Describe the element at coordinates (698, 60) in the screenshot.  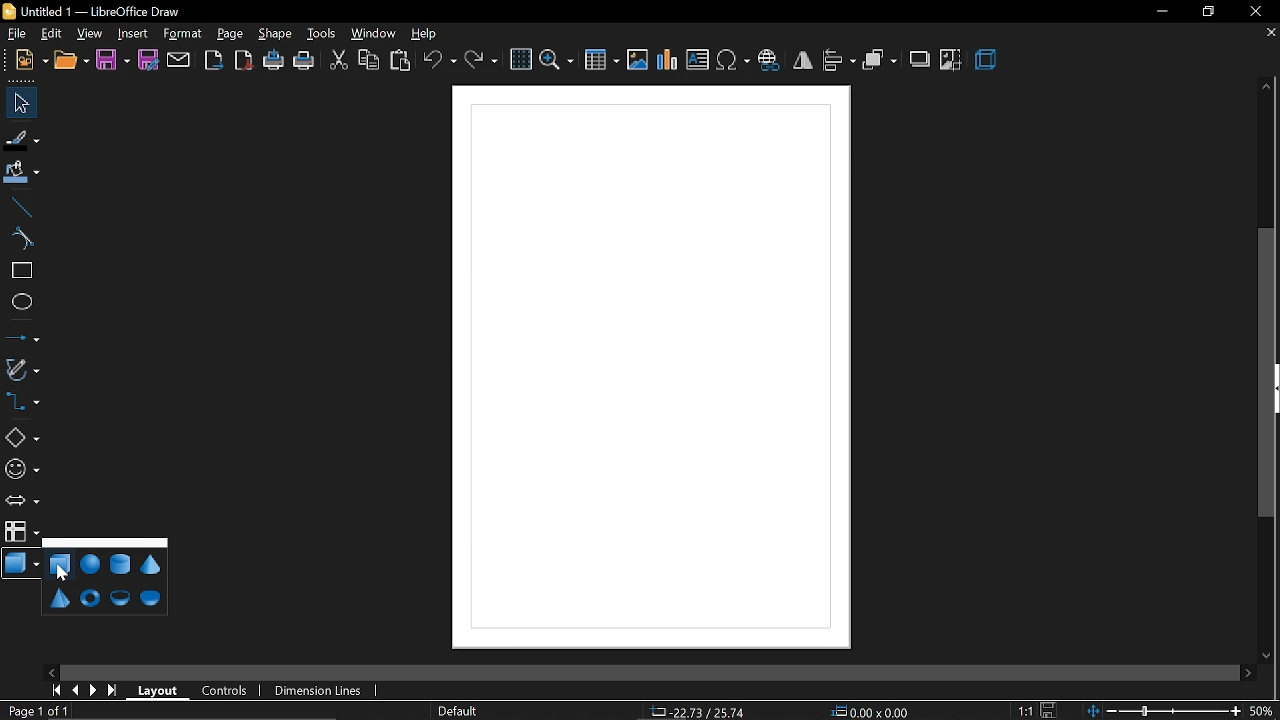
I see `insert text` at that location.